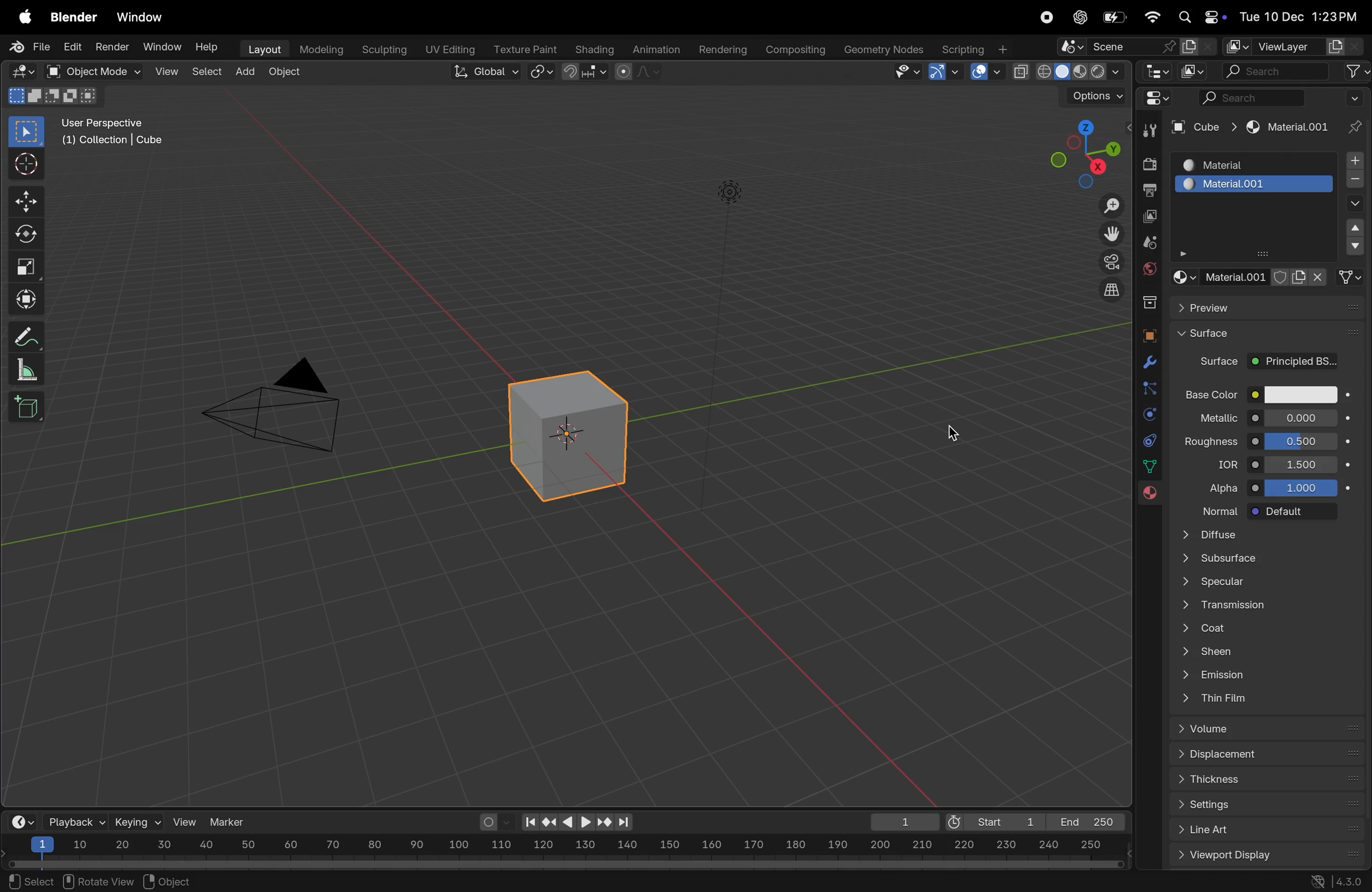 The image size is (1372, 892). I want to click on add material, so click(1352, 161).